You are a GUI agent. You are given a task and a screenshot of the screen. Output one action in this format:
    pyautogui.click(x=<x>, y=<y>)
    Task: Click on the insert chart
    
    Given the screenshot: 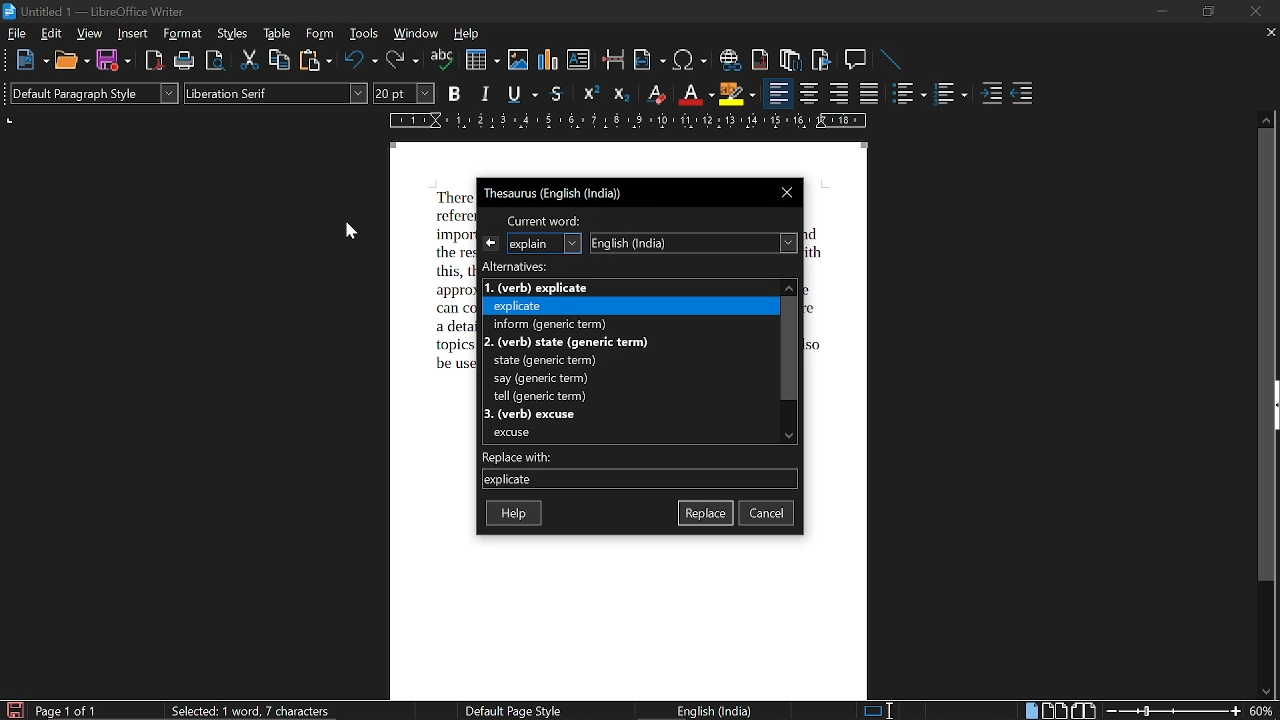 What is the action you would take?
    pyautogui.click(x=549, y=60)
    